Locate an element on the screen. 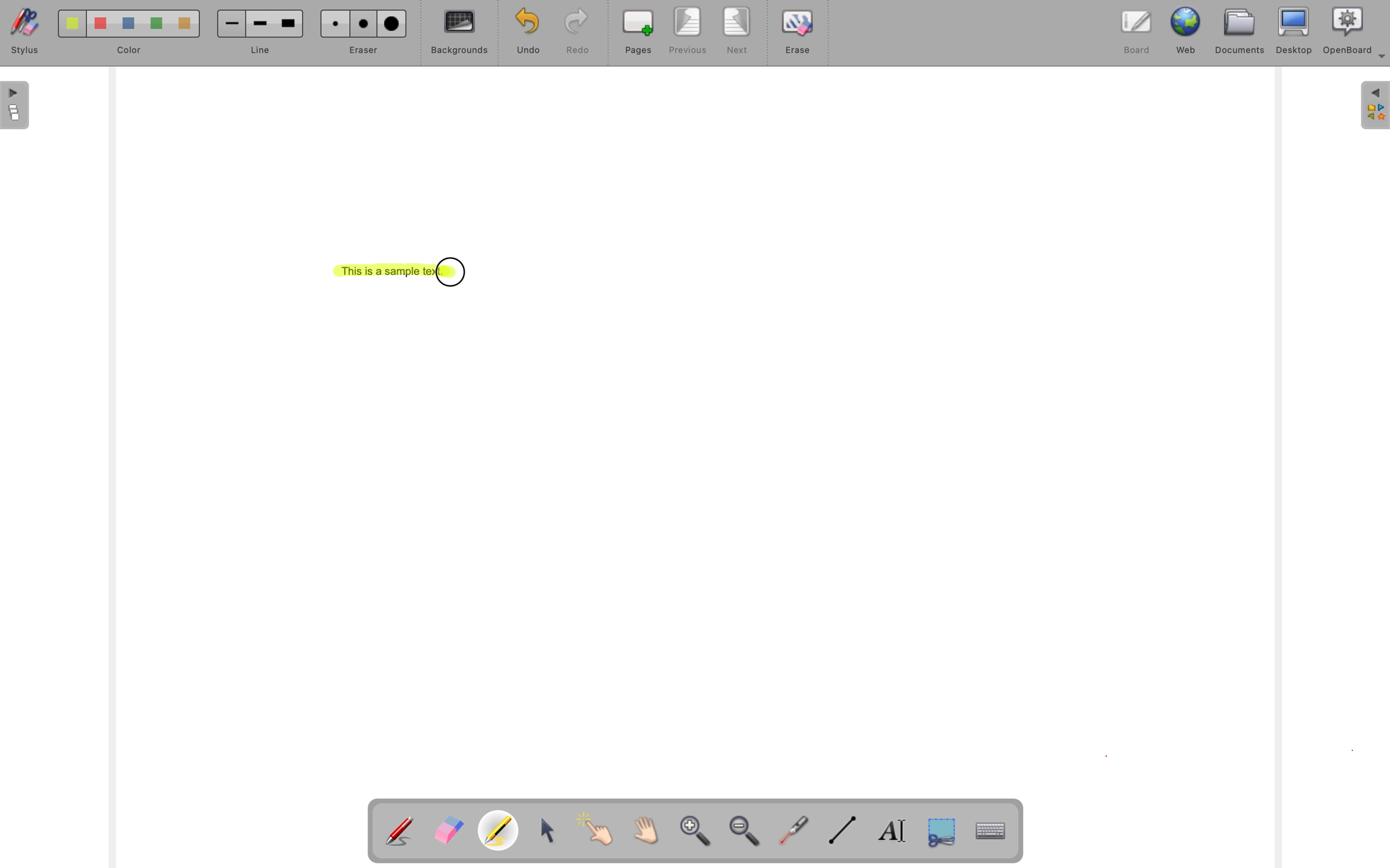 Image resolution: width=1390 pixels, height=868 pixels. Color 3 is located at coordinates (129, 24).